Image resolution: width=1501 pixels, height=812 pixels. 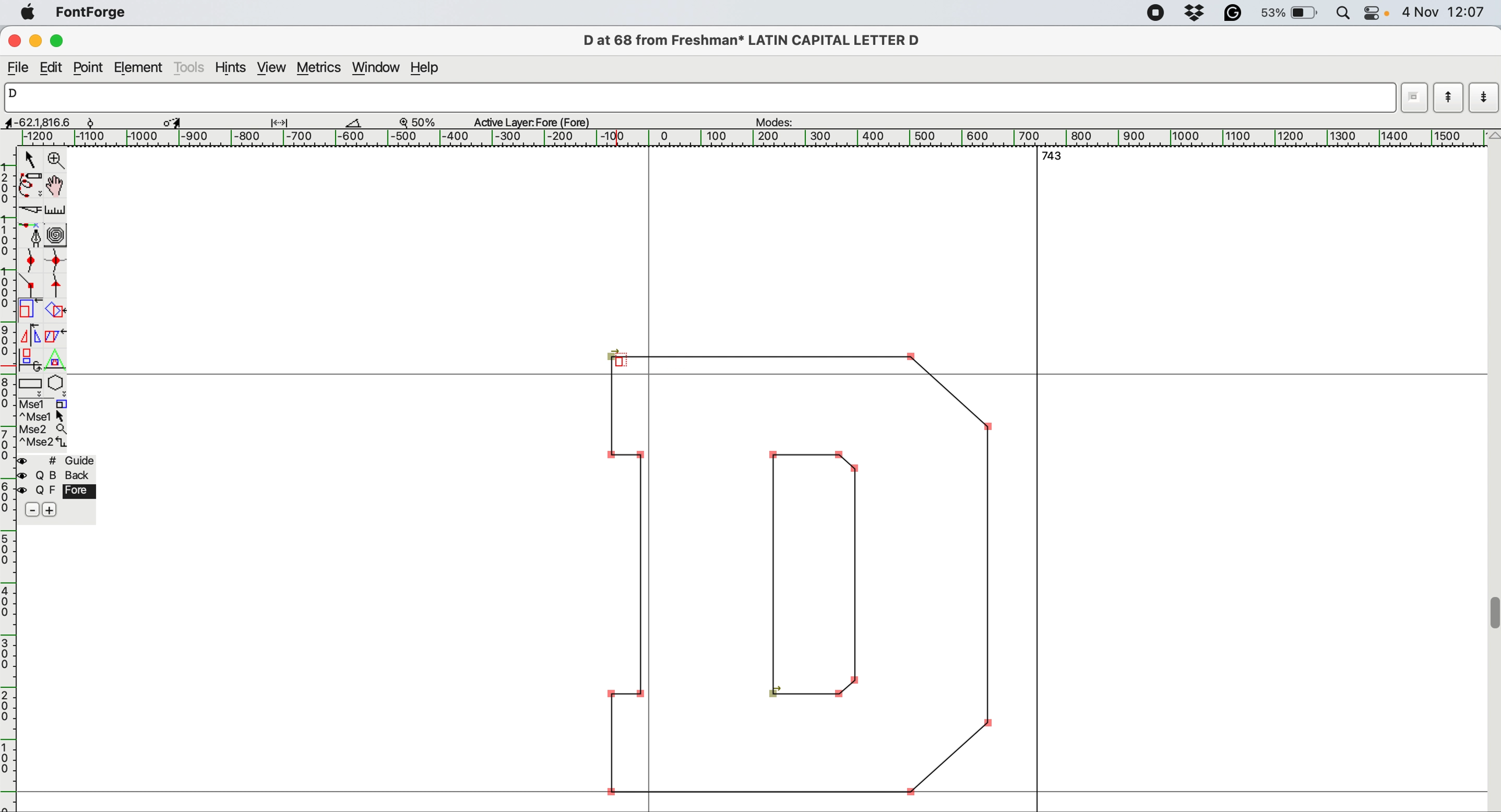 I want to click on ^Mse1, so click(x=45, y=416).